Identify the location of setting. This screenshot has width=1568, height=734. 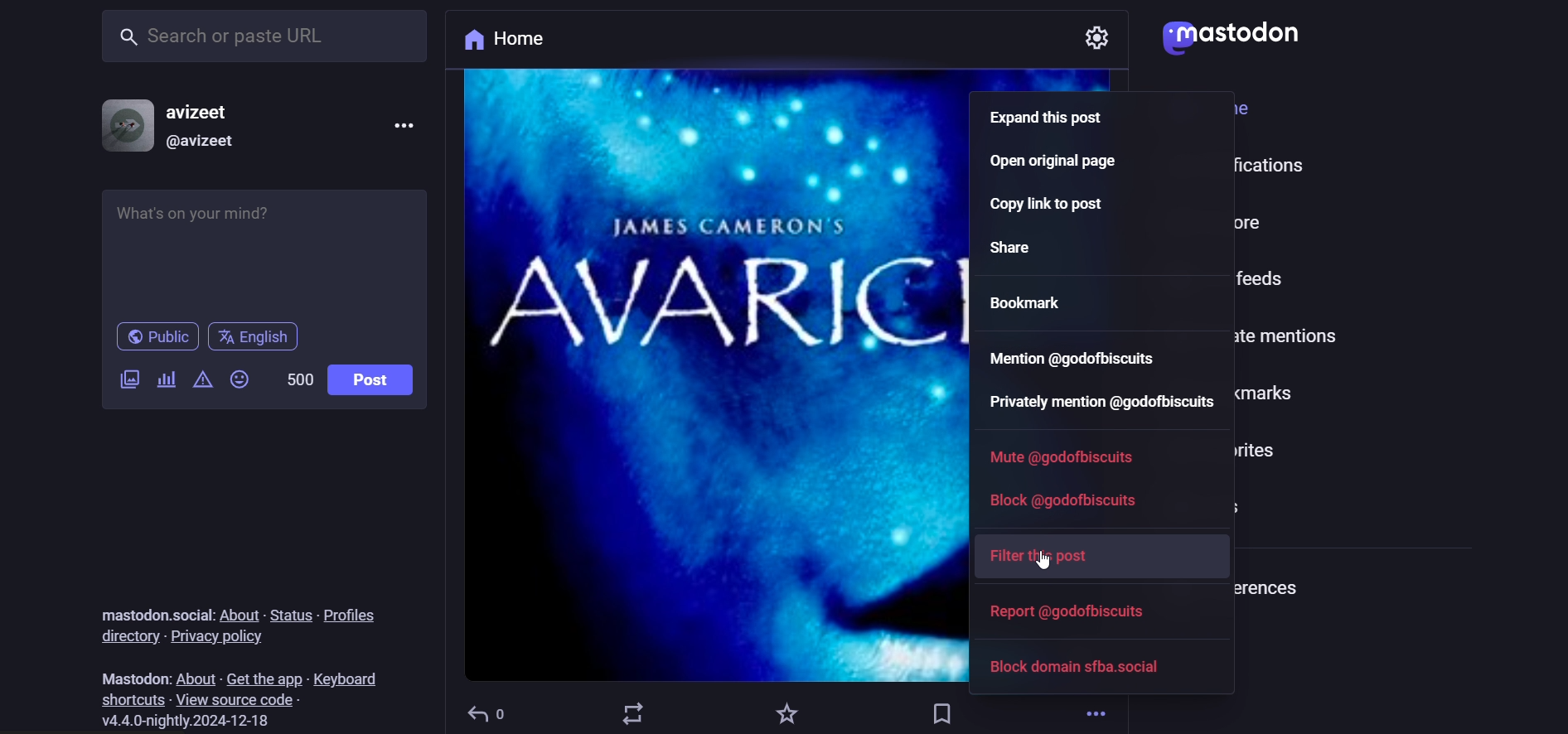
(1100, 36).